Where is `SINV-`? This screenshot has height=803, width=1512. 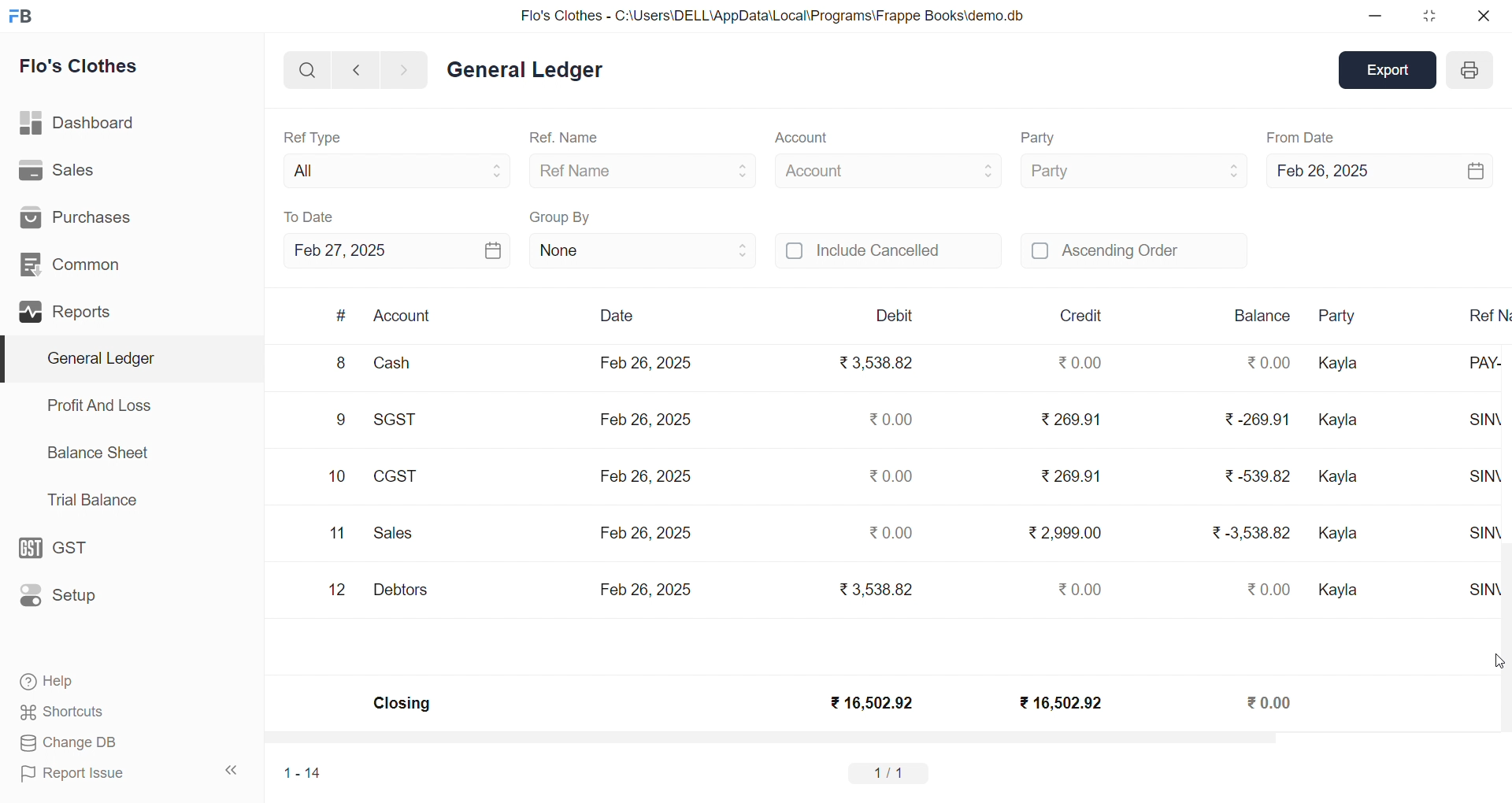 SINV- is located at coordinates (1489, 426).